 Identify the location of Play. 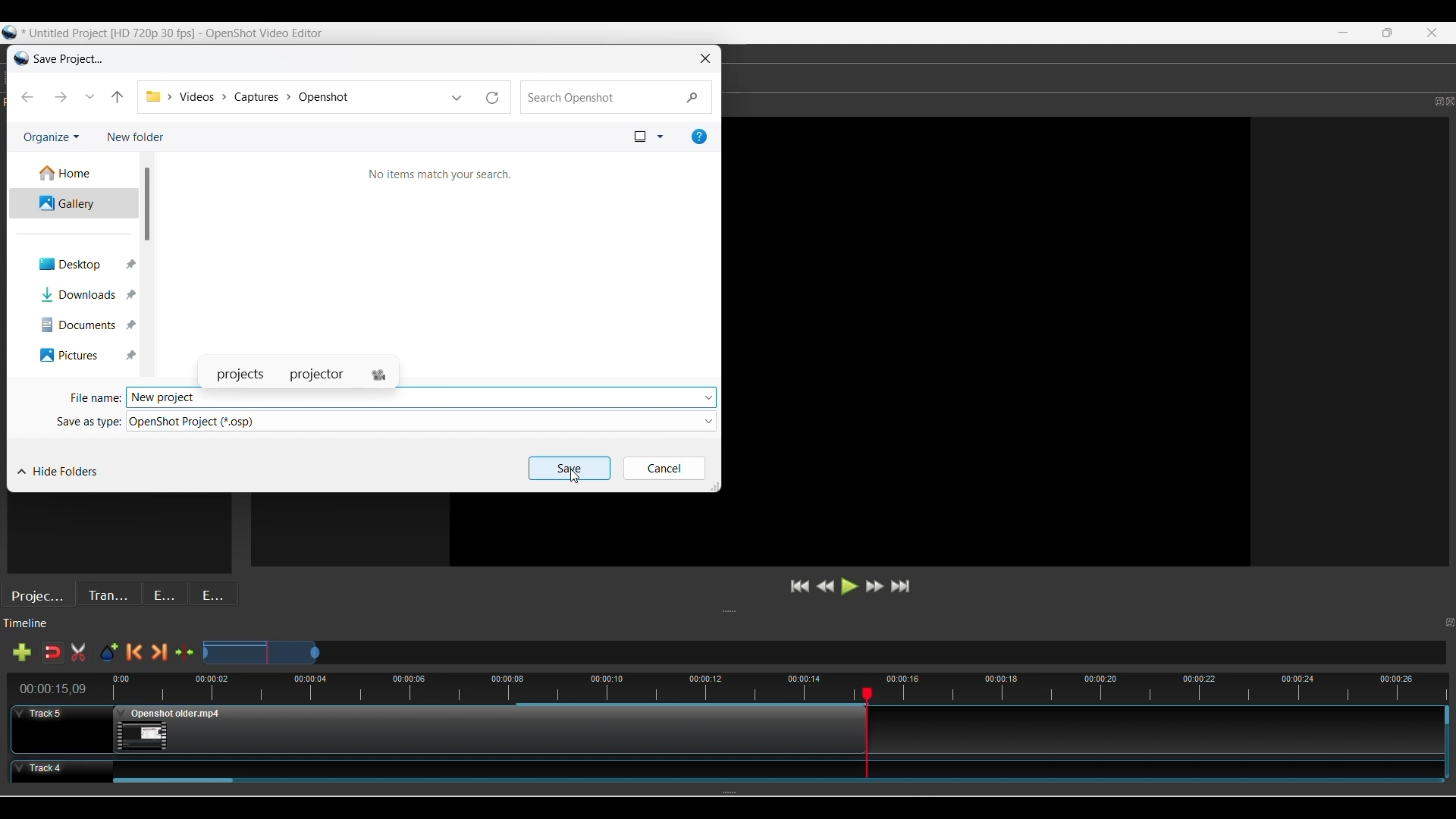
(851, 586).